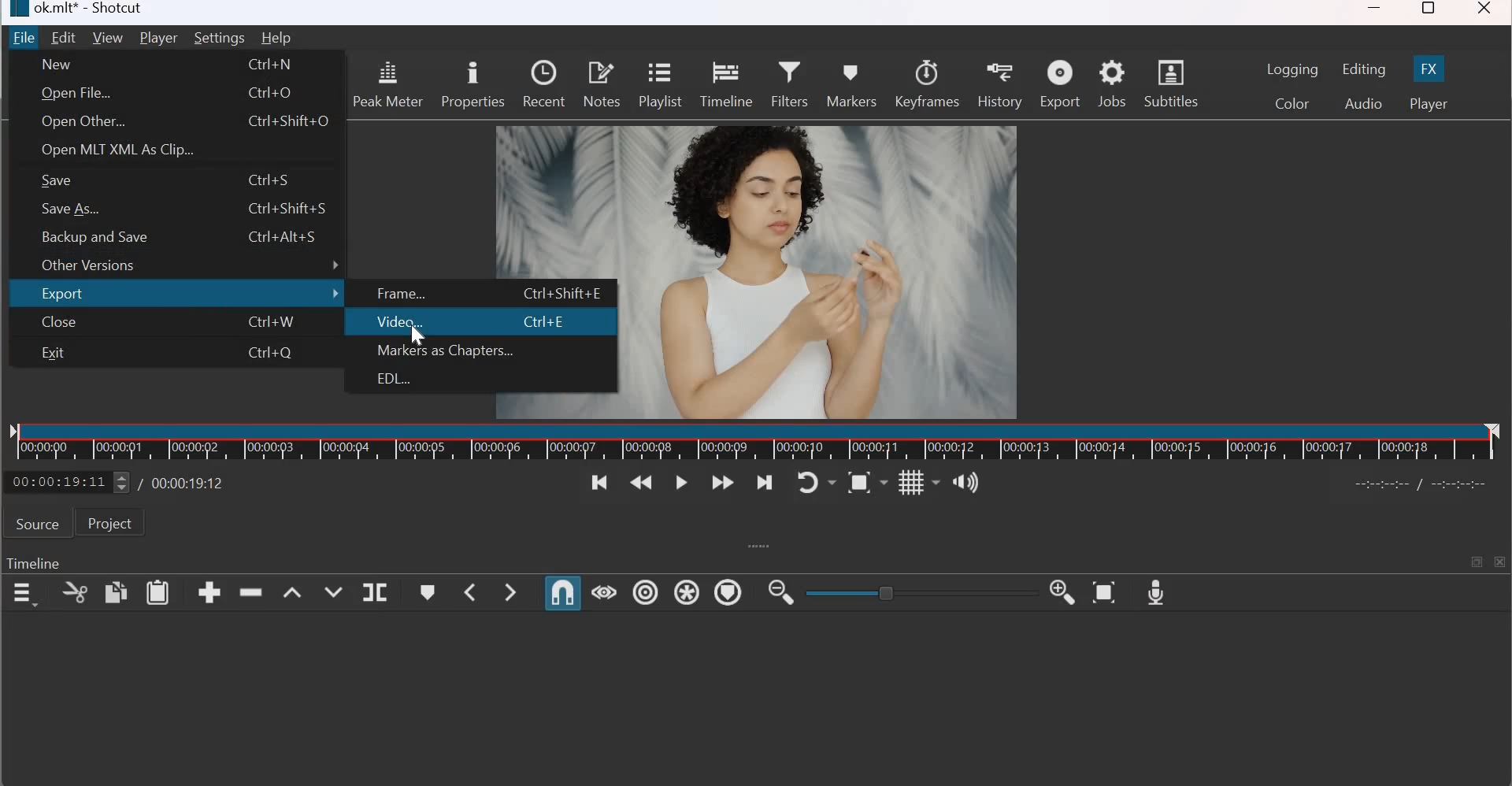 This screenshot has width=1512, height=786. Describe the element at coordinates (185, 266) in the screenshot. I see `Other versions` at that location.